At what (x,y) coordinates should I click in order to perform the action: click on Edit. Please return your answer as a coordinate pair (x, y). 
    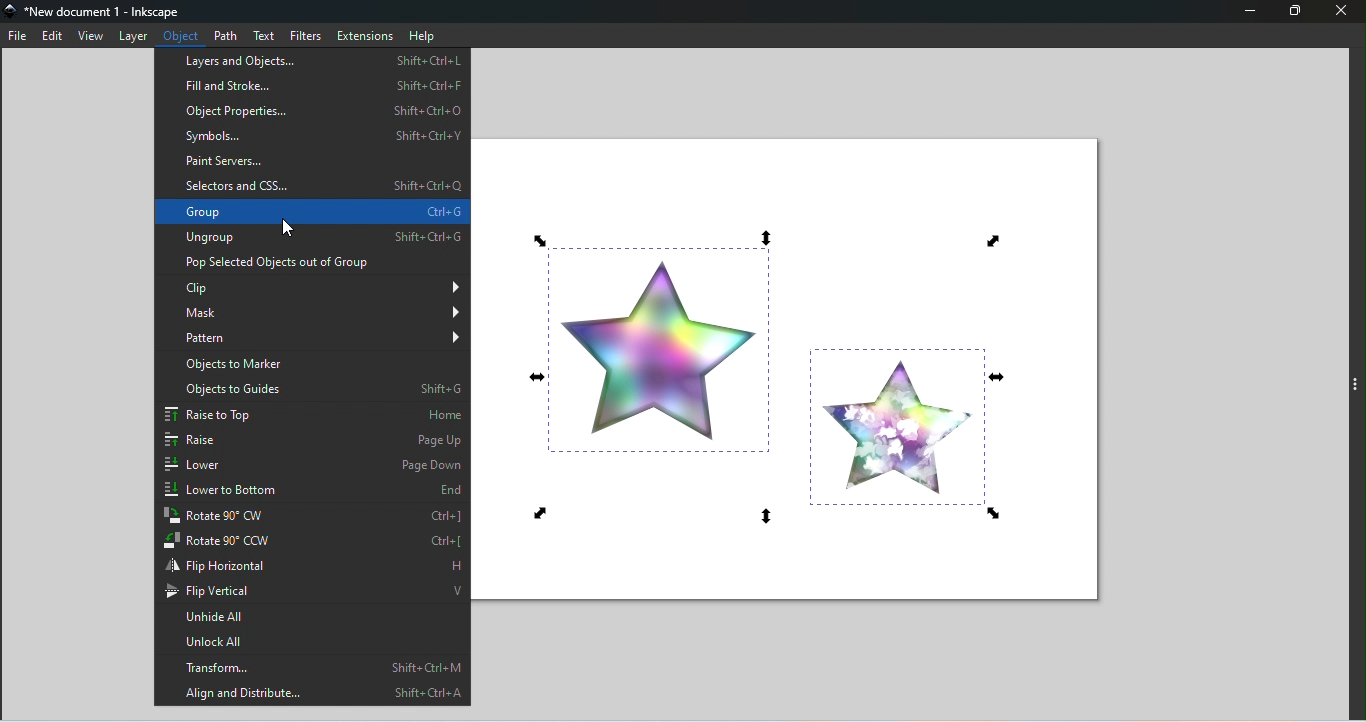
    Looking at the image, I should click on (54, 35).